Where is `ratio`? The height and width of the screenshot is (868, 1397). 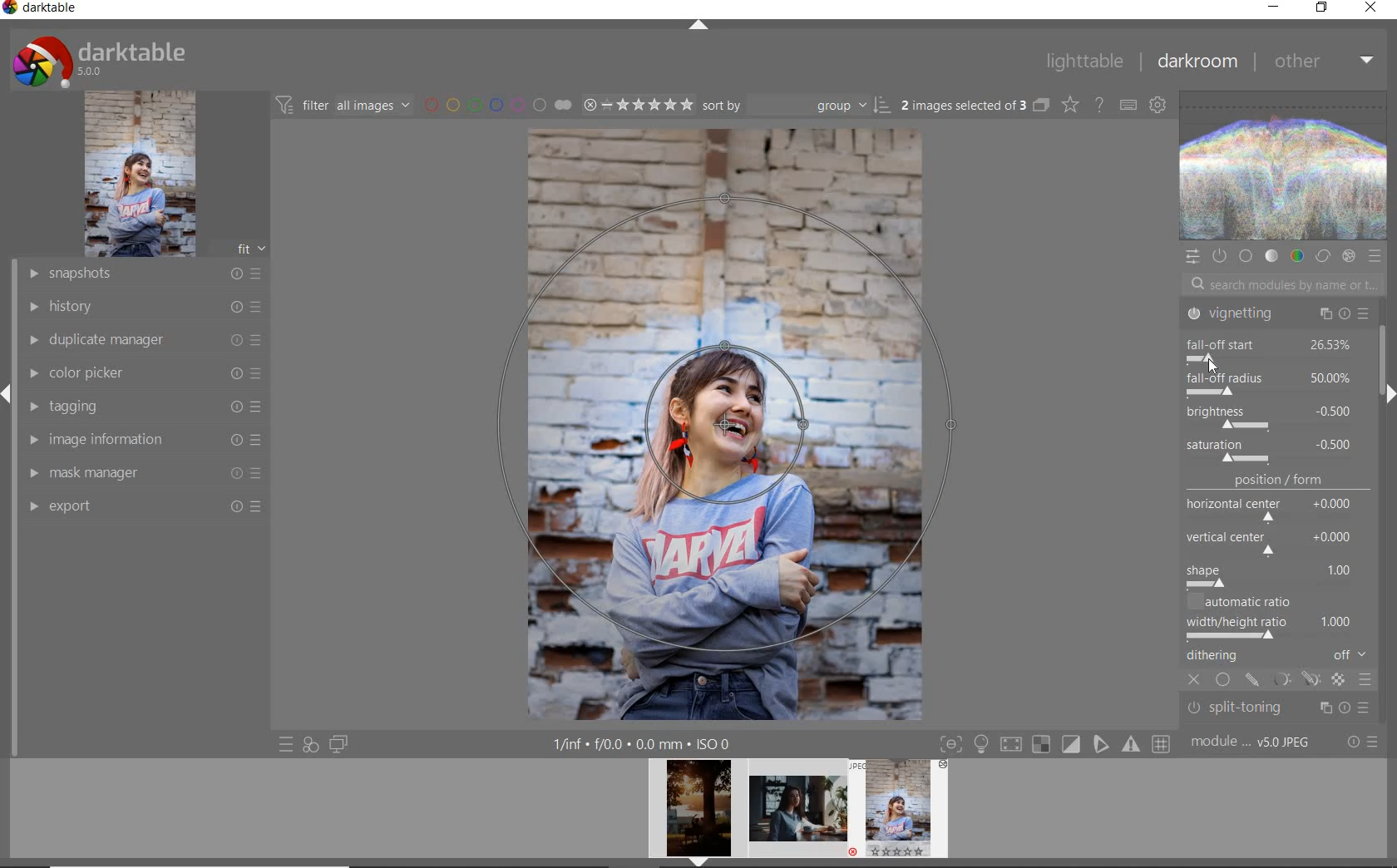
ratio is located at coordinates (1281, 618).